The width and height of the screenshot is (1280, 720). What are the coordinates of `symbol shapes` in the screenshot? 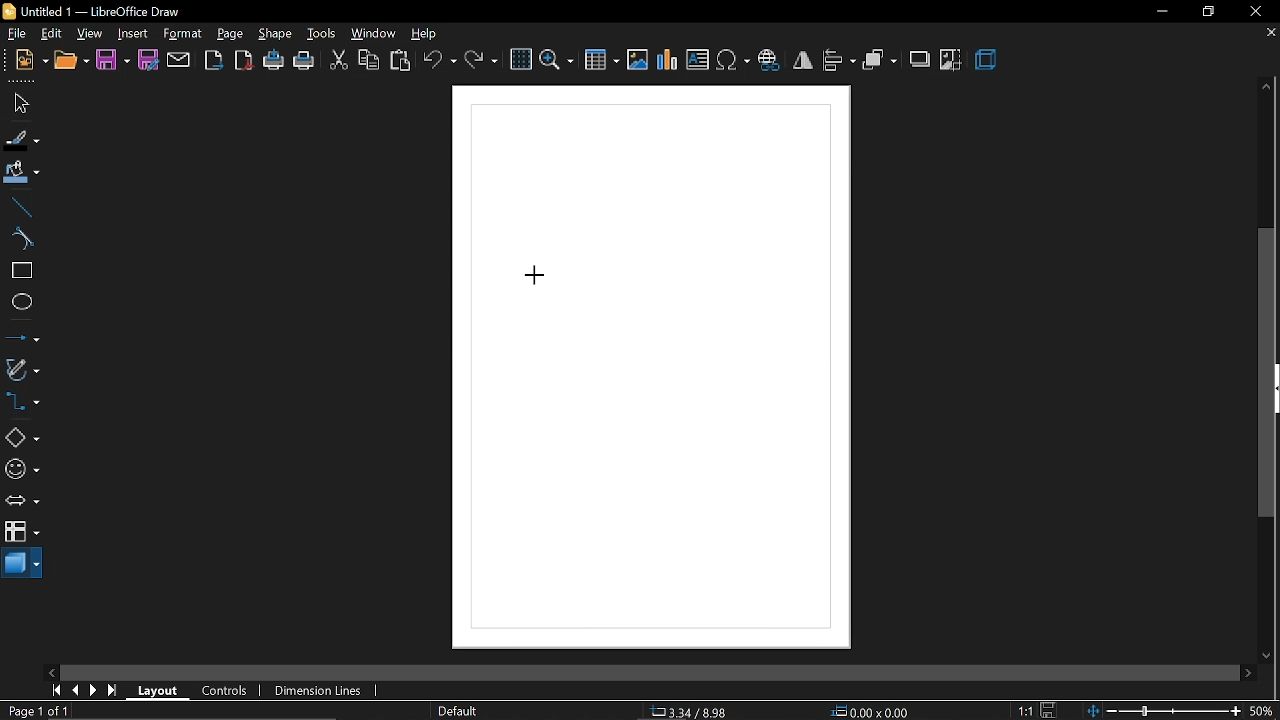 It's located at (22, 469).